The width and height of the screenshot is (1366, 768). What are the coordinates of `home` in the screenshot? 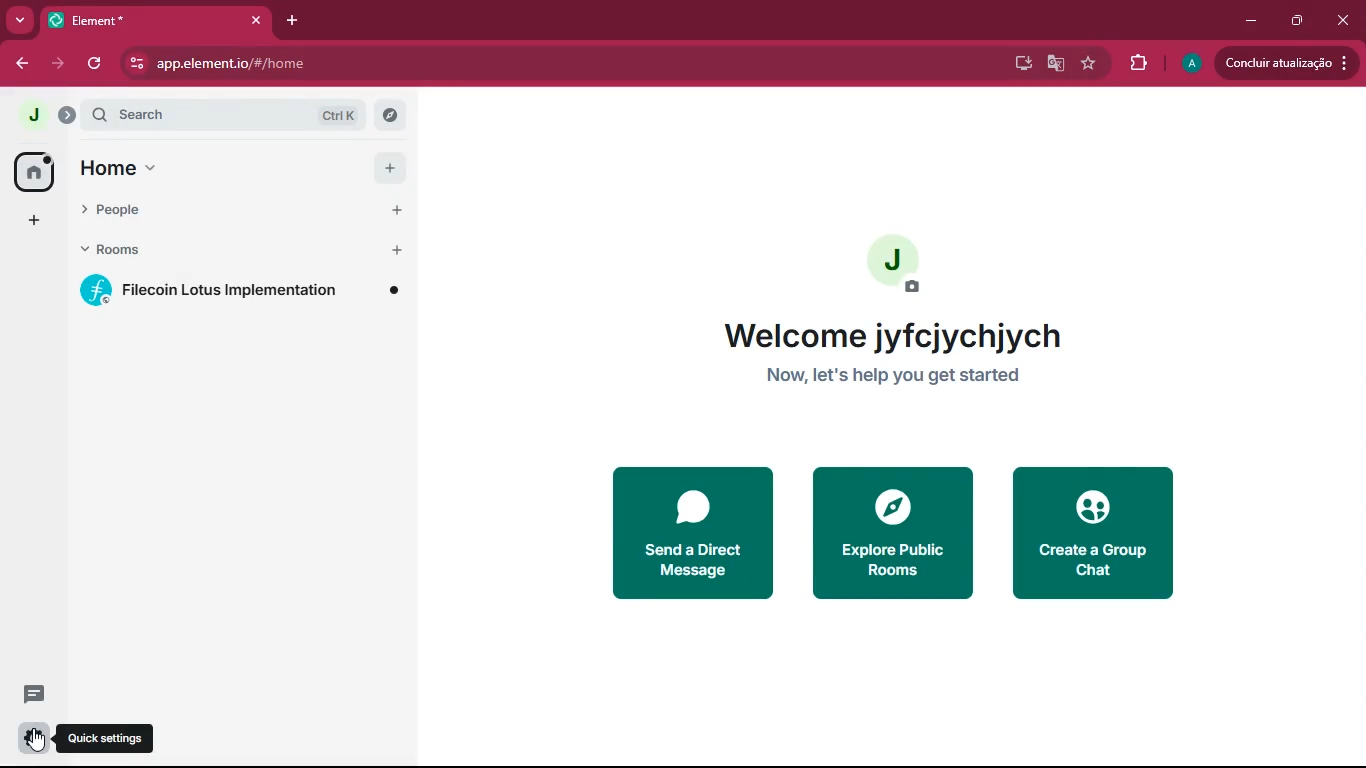 It's located at (35, 174).